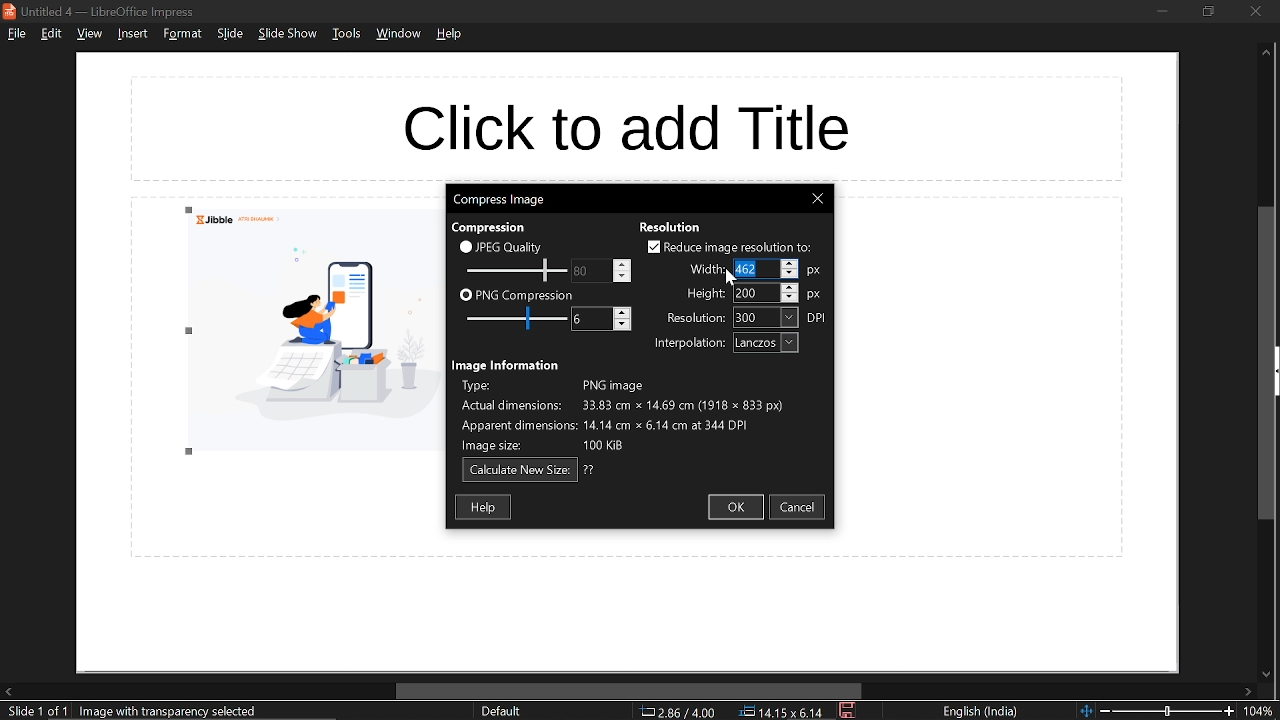 The height and width of the screenshot is (720, 1280). I want to click on interpolation, so click(685, 344).